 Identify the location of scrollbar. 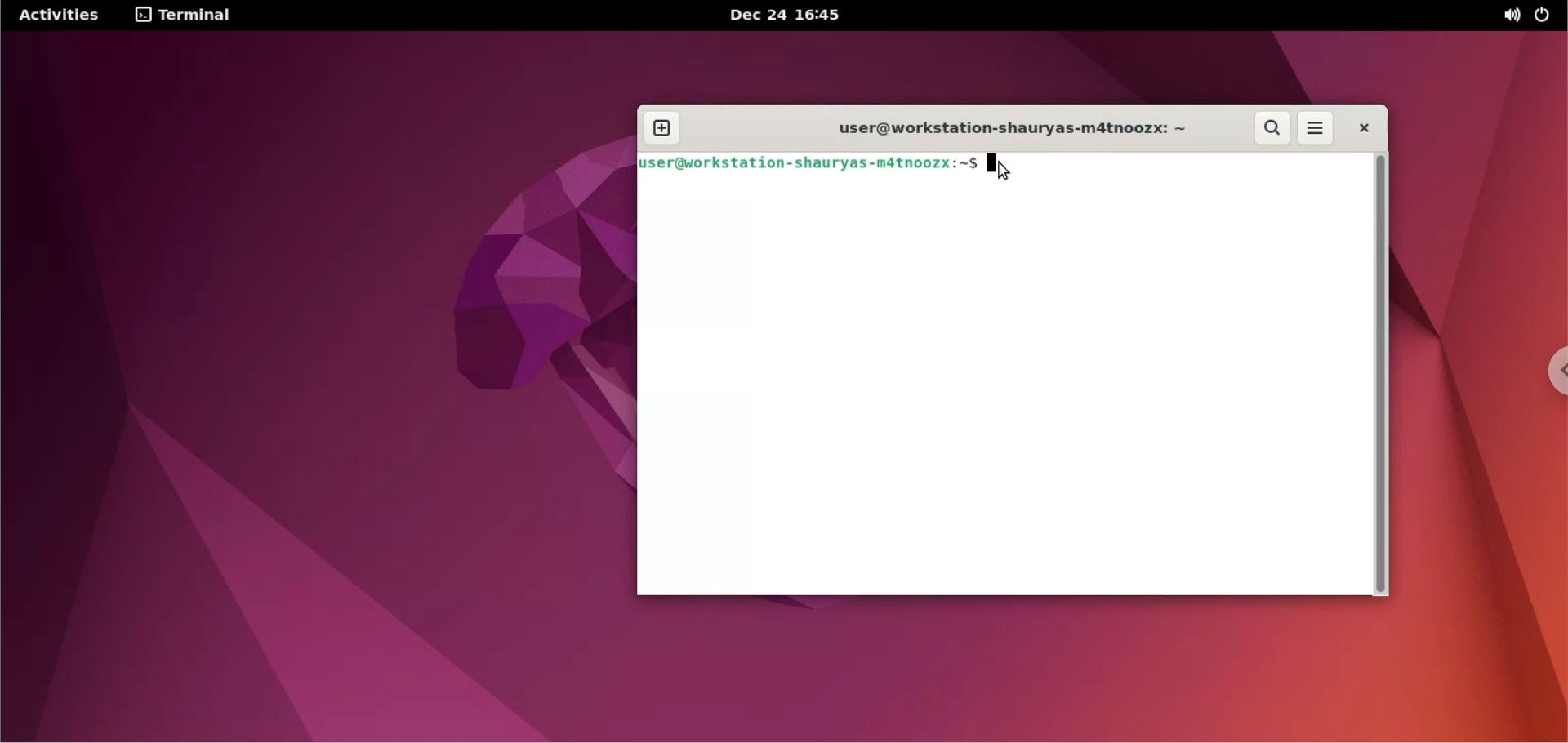
(1380, 373).